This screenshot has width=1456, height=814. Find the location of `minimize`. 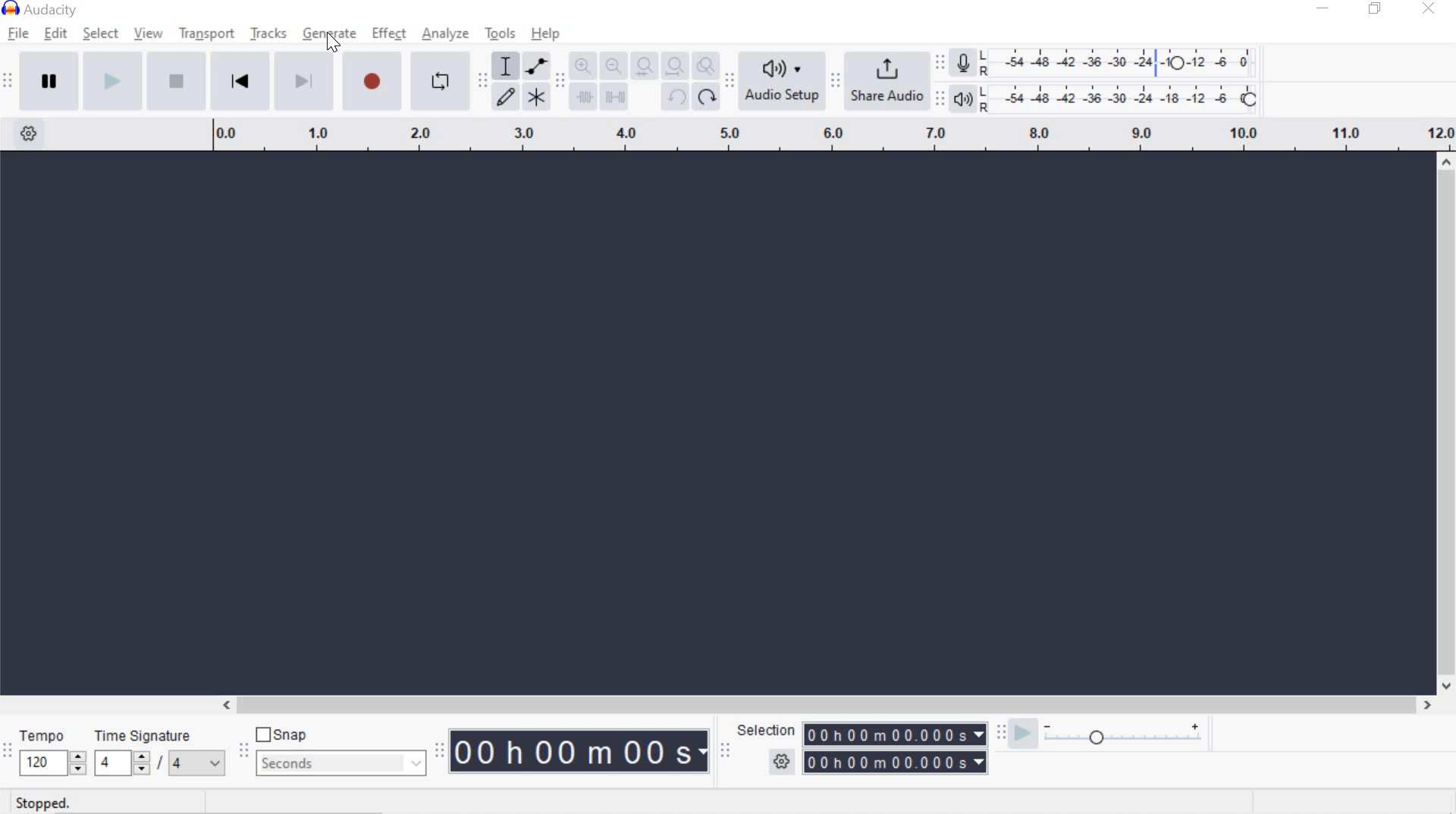

minimize is located at coordinates (1323, 7).